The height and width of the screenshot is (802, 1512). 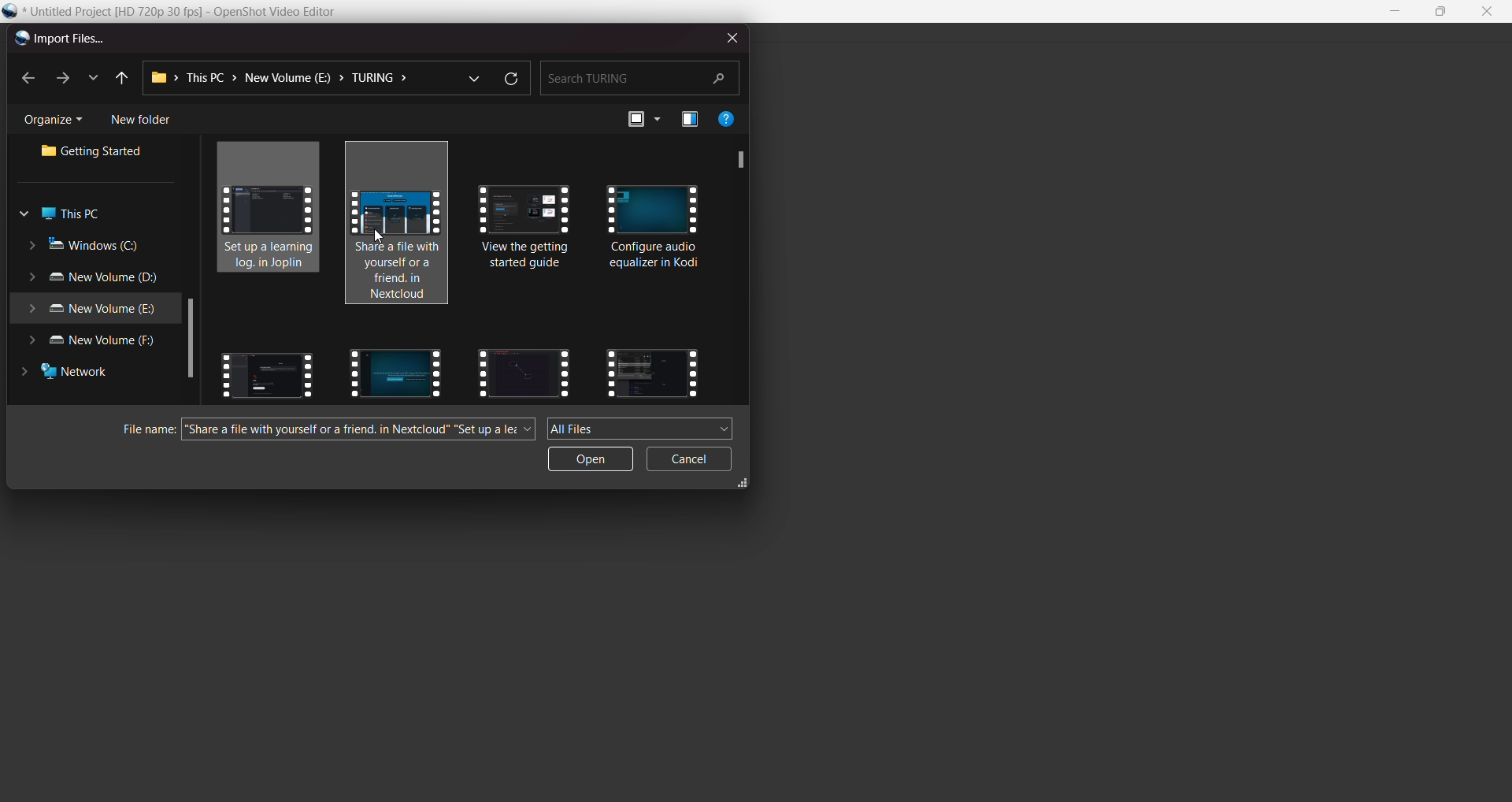 What do you see at coordinates (403, 221) in the screenshot?
I see `selected videos` at bounding box center [403, 221].